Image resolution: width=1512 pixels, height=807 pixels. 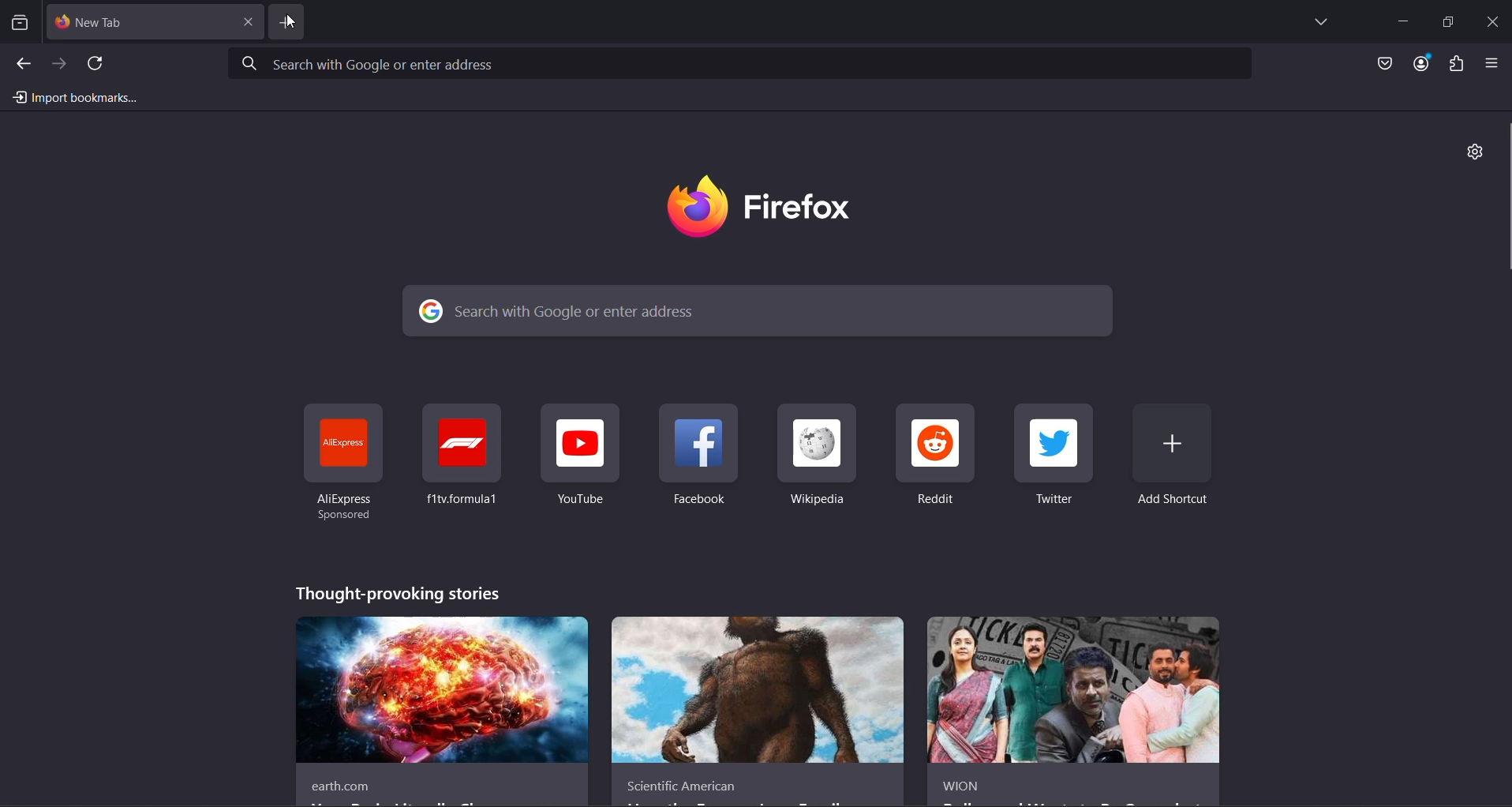 What do you see at coordinates (1474, 152) in the screenshot?
I see `personalize new tab` at bounding box center [1474, 152].